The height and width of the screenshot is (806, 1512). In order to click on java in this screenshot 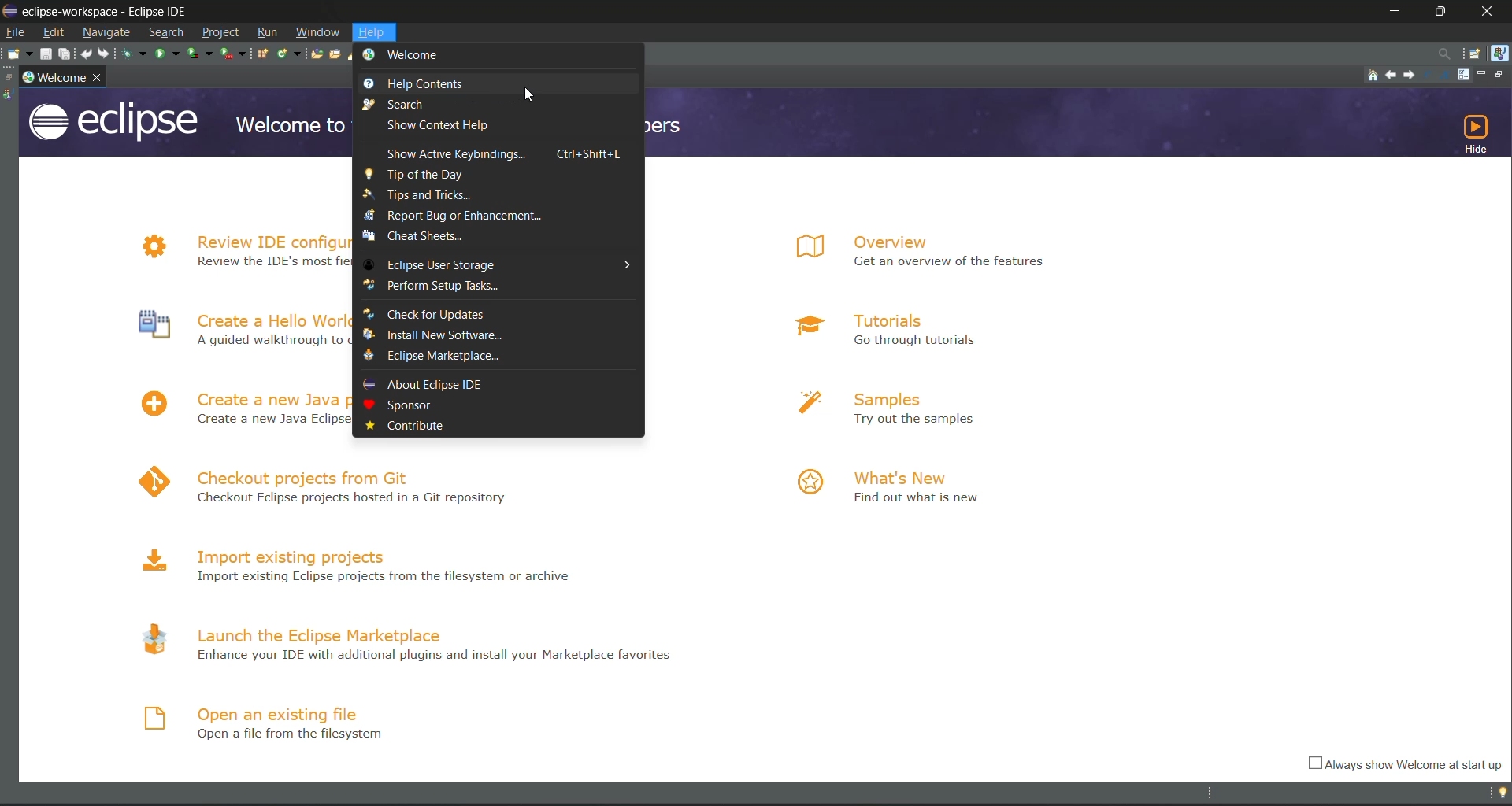, I will do `click(9, 95)`.